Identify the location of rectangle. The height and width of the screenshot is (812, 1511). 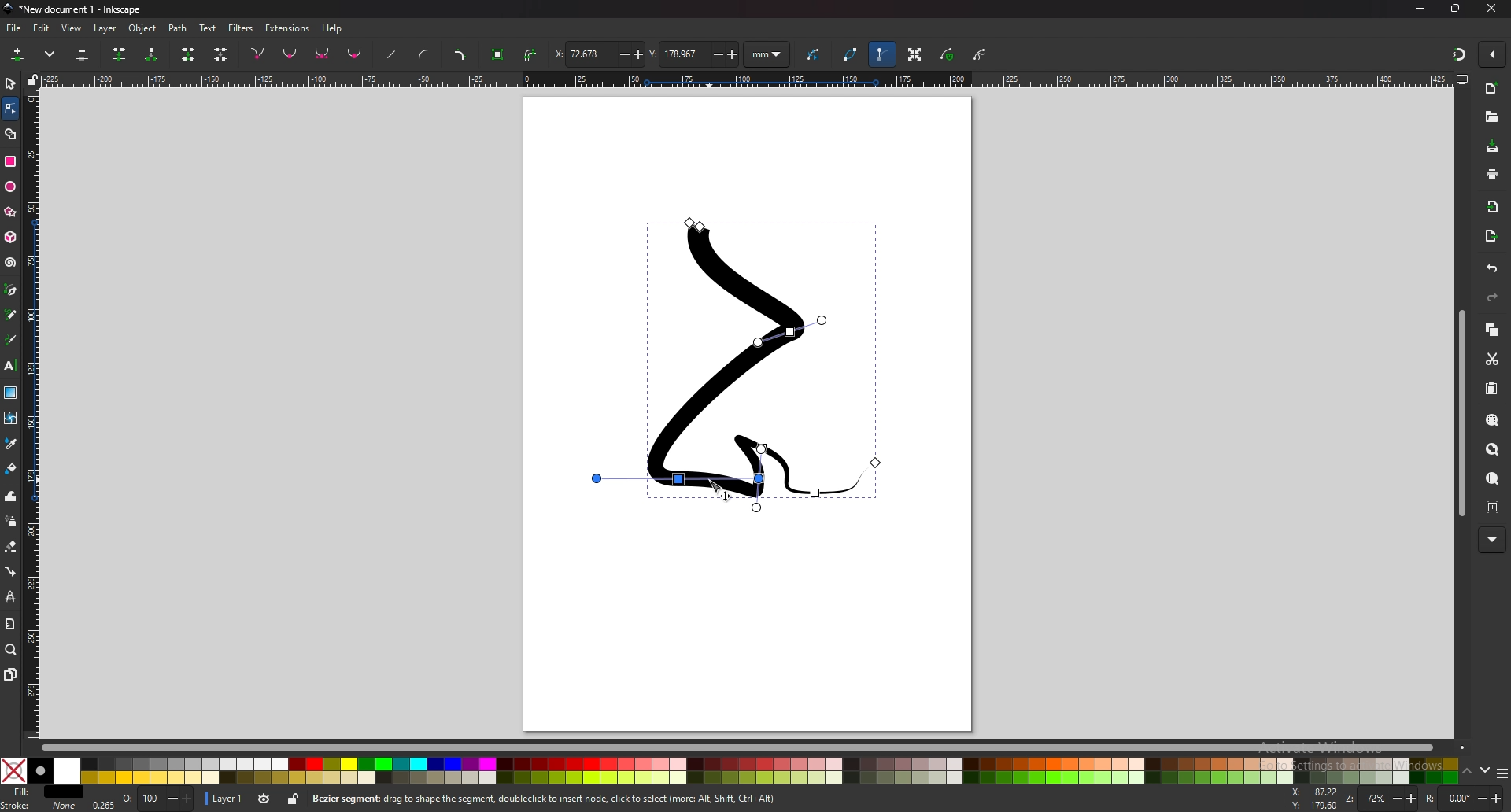
(12, 162).